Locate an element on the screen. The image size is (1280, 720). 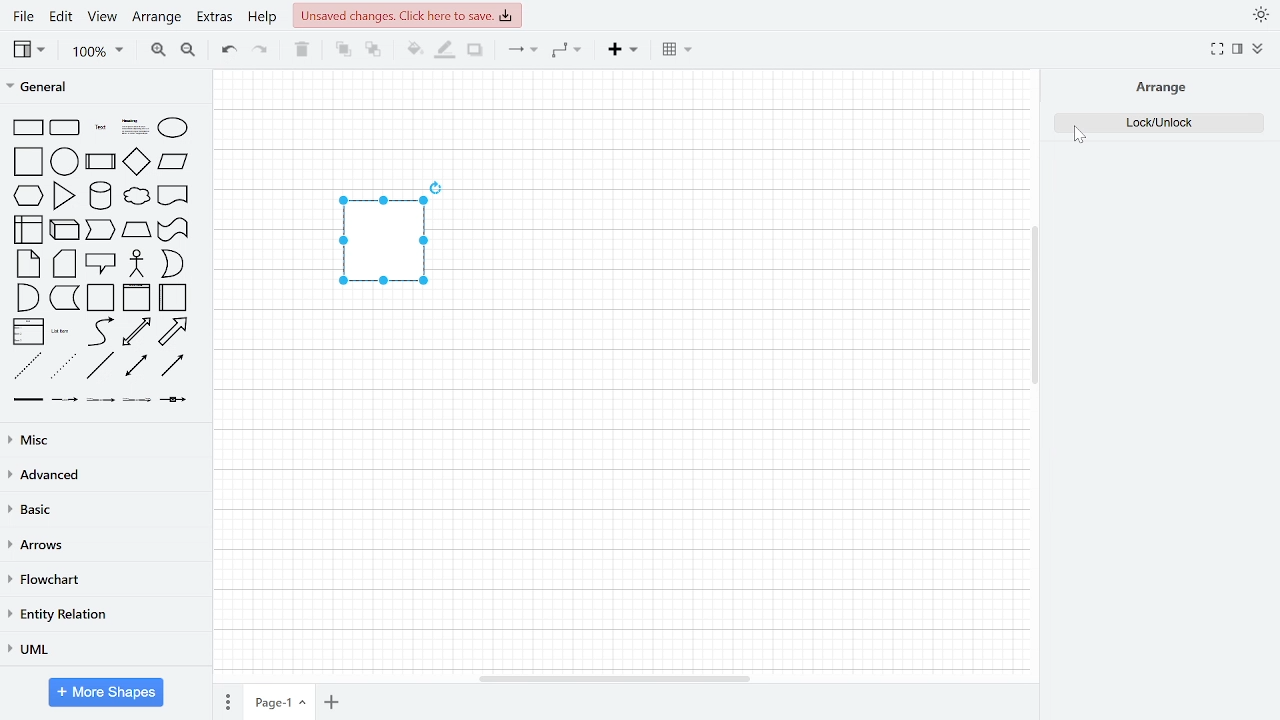
directional connector is located at coordinates (173, 366).